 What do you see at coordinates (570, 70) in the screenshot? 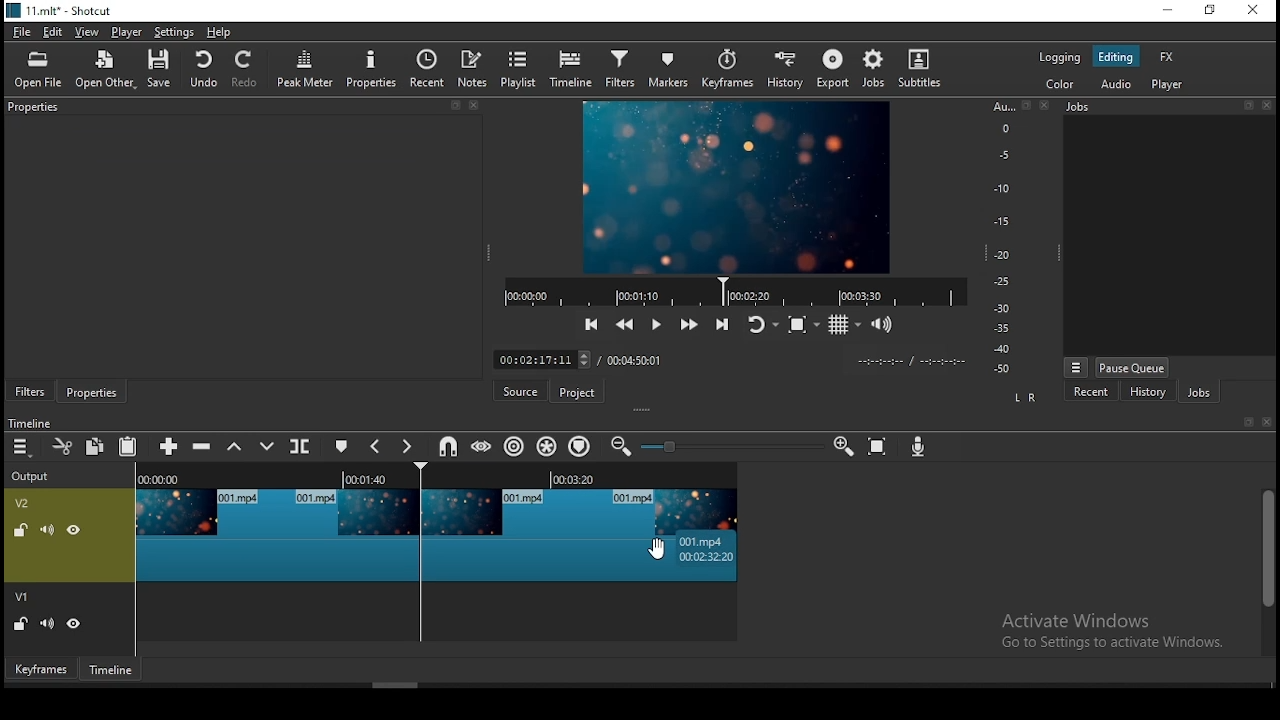
I see `timeline` at bounding box center [570, 70].